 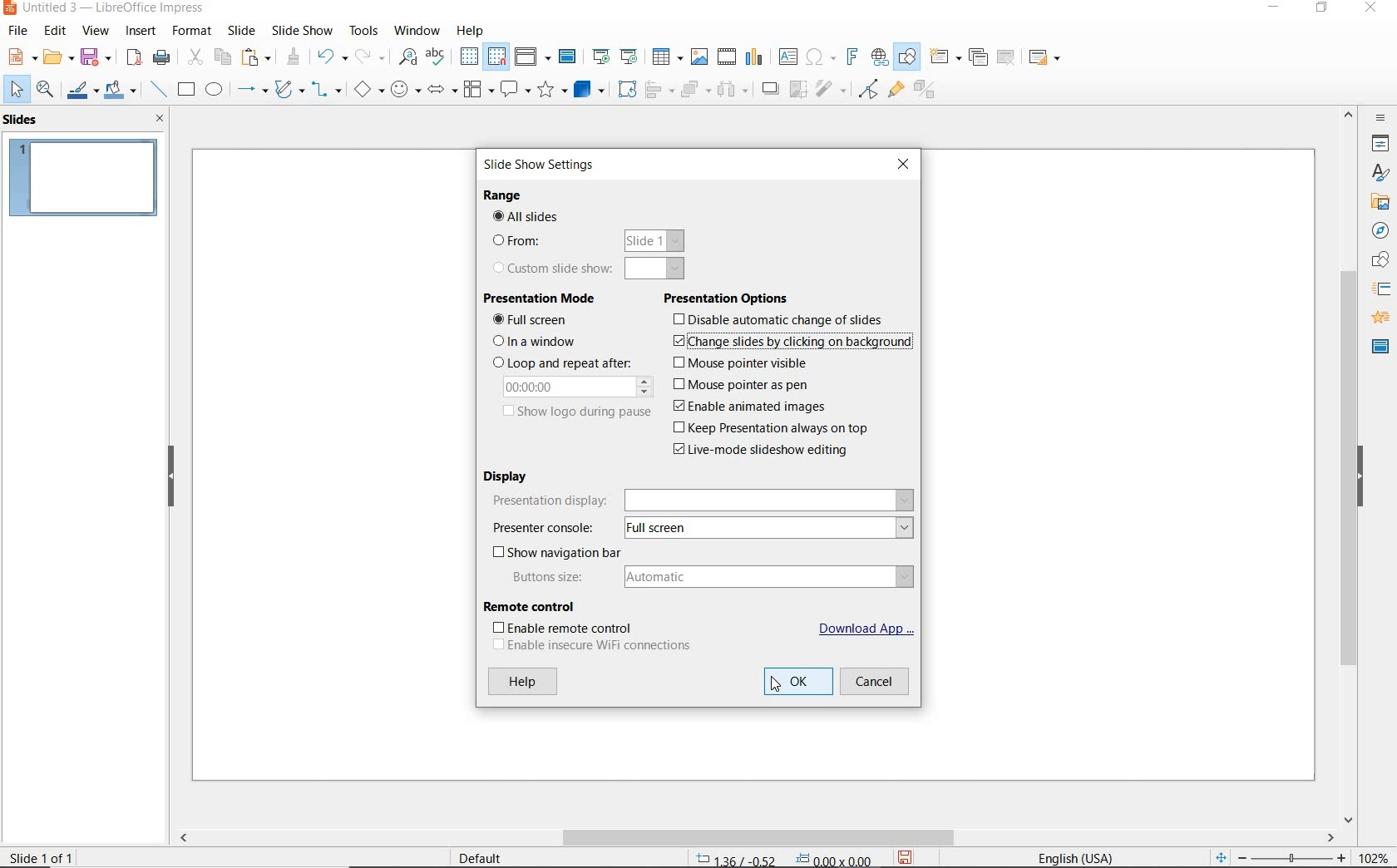 What do you see at coordinates (40, 857) in the screenshot?
I see `SLIDE 1 OF 1` at bounding box center [40, 857].